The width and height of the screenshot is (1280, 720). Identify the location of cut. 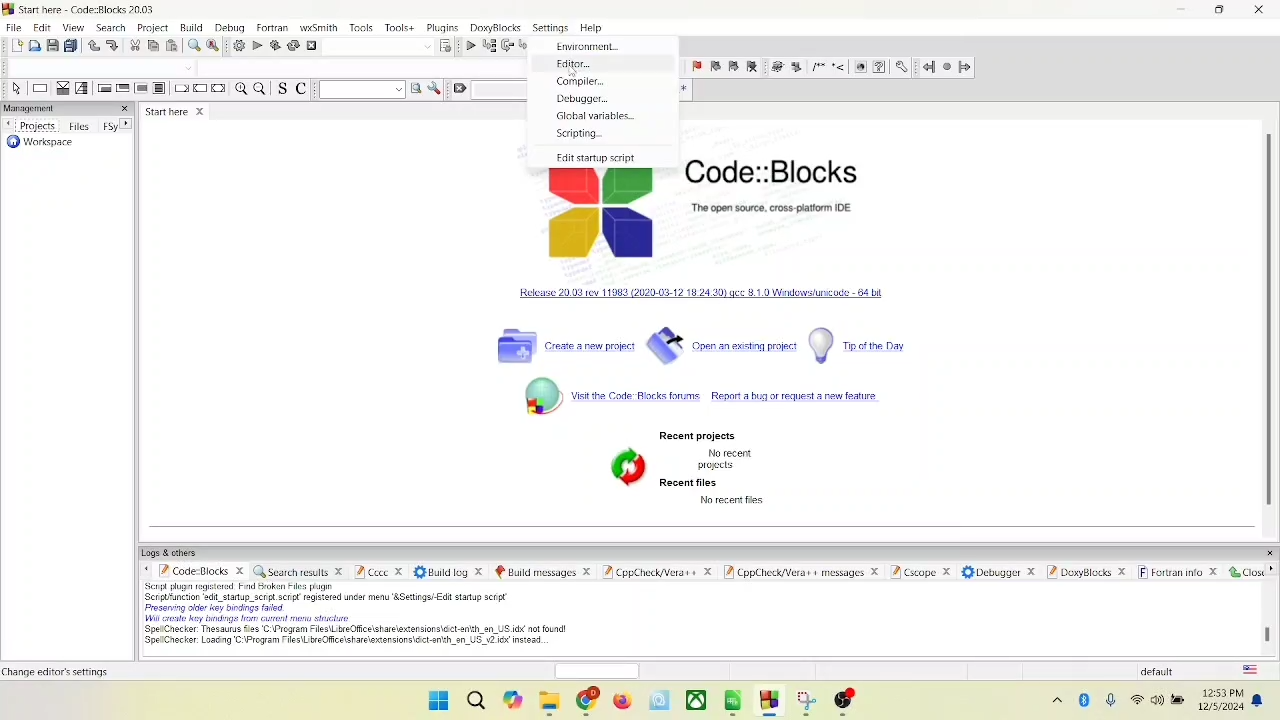
(136, 46).